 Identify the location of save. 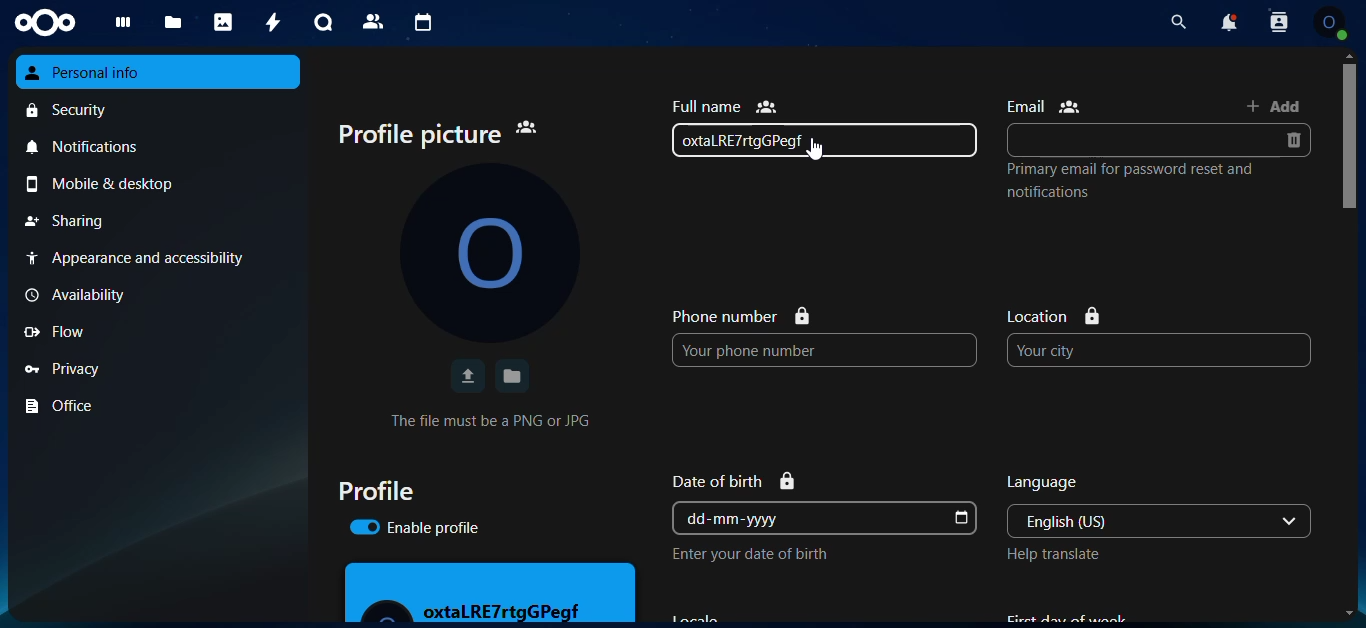
(513, 376).